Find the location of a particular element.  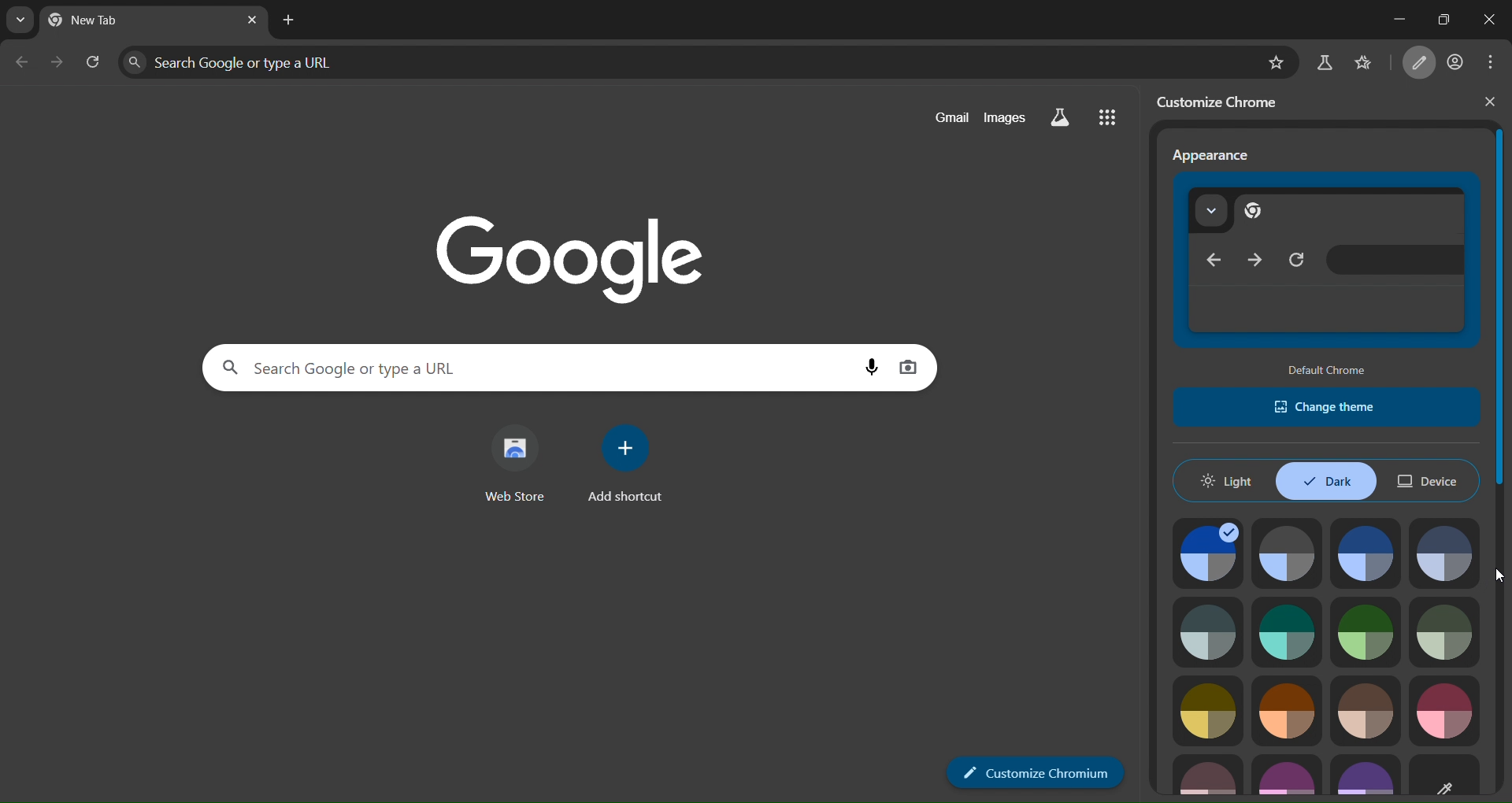

Google is located at coordinates (563, 246).